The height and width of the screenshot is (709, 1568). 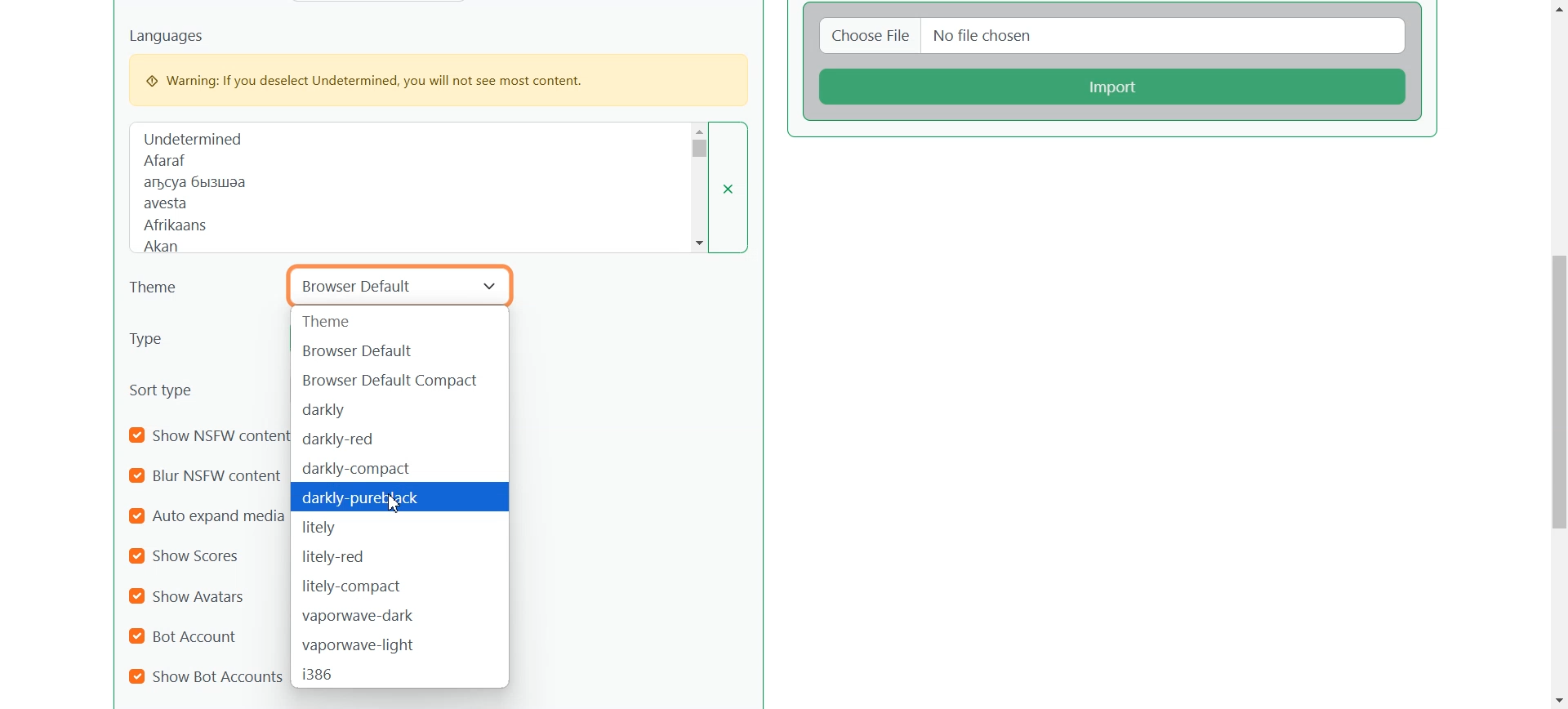 I want to click on Import, so click(x=1115, y=86).